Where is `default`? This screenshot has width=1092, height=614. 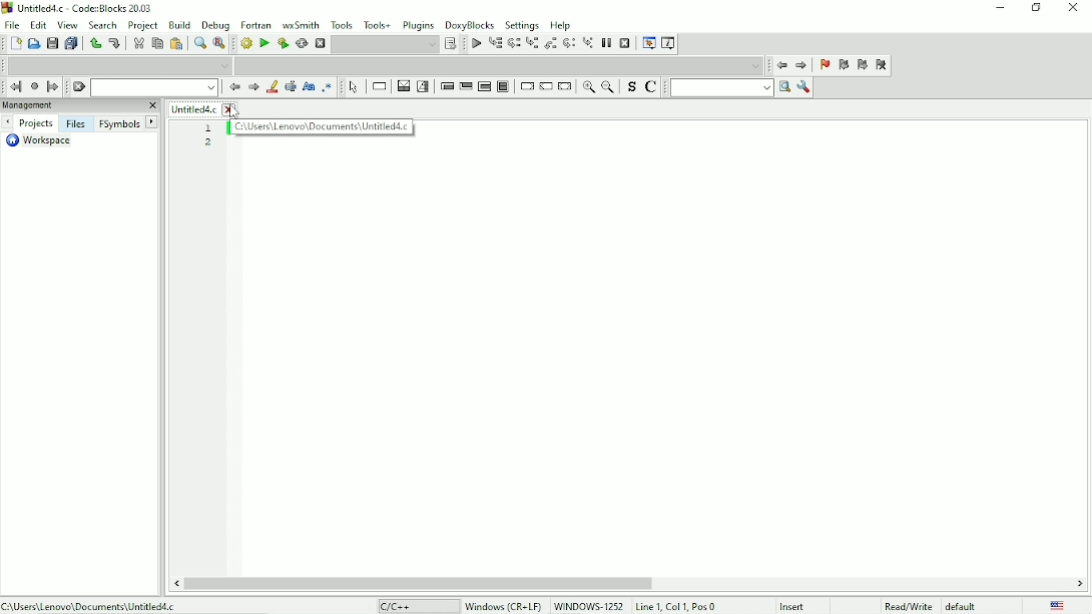 default is located at coordinates (961, 605).